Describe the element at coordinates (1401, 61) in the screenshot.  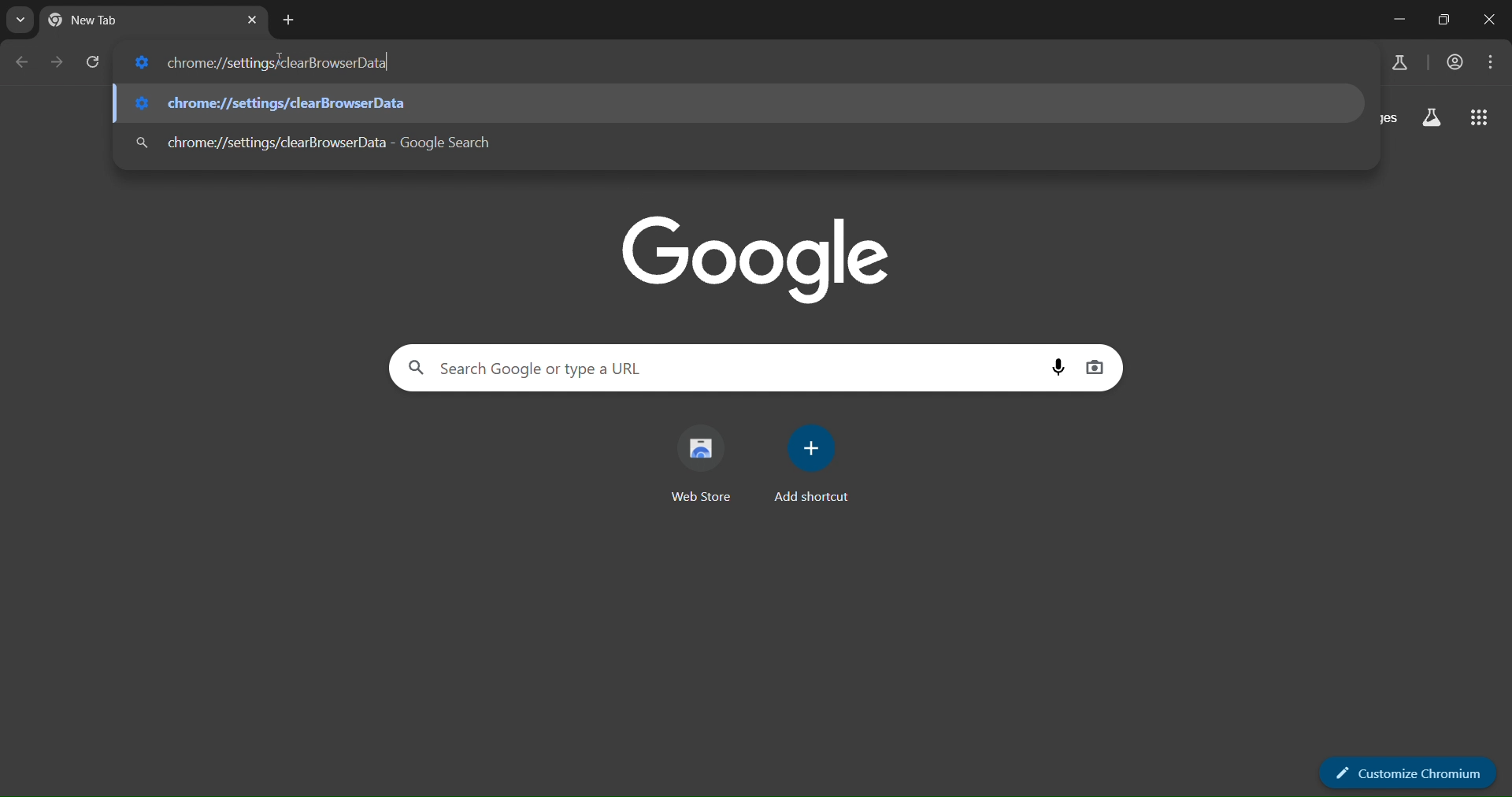
I see `search labs` at that location.